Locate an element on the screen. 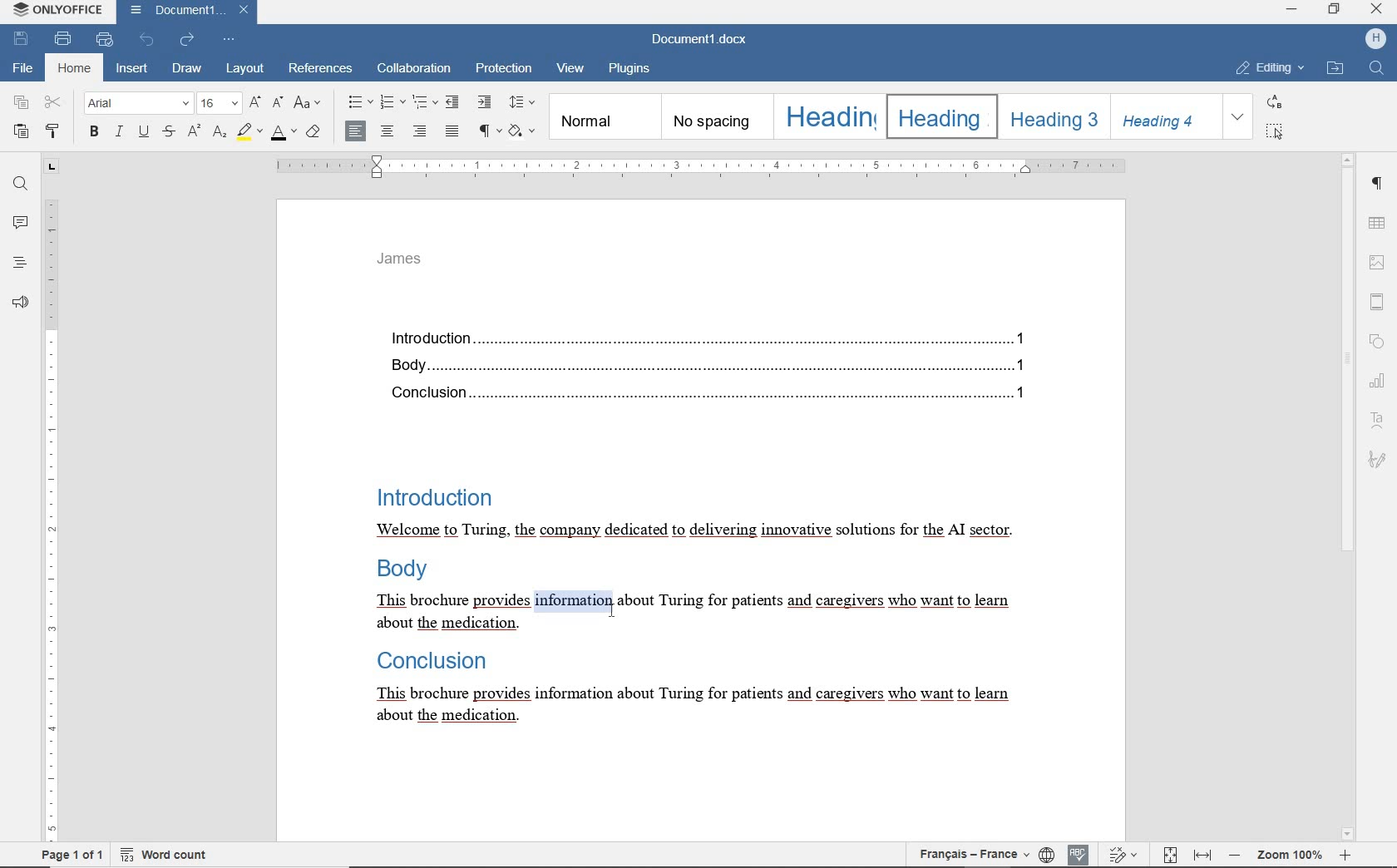  zoom in is located at coordinates (1350, 856).